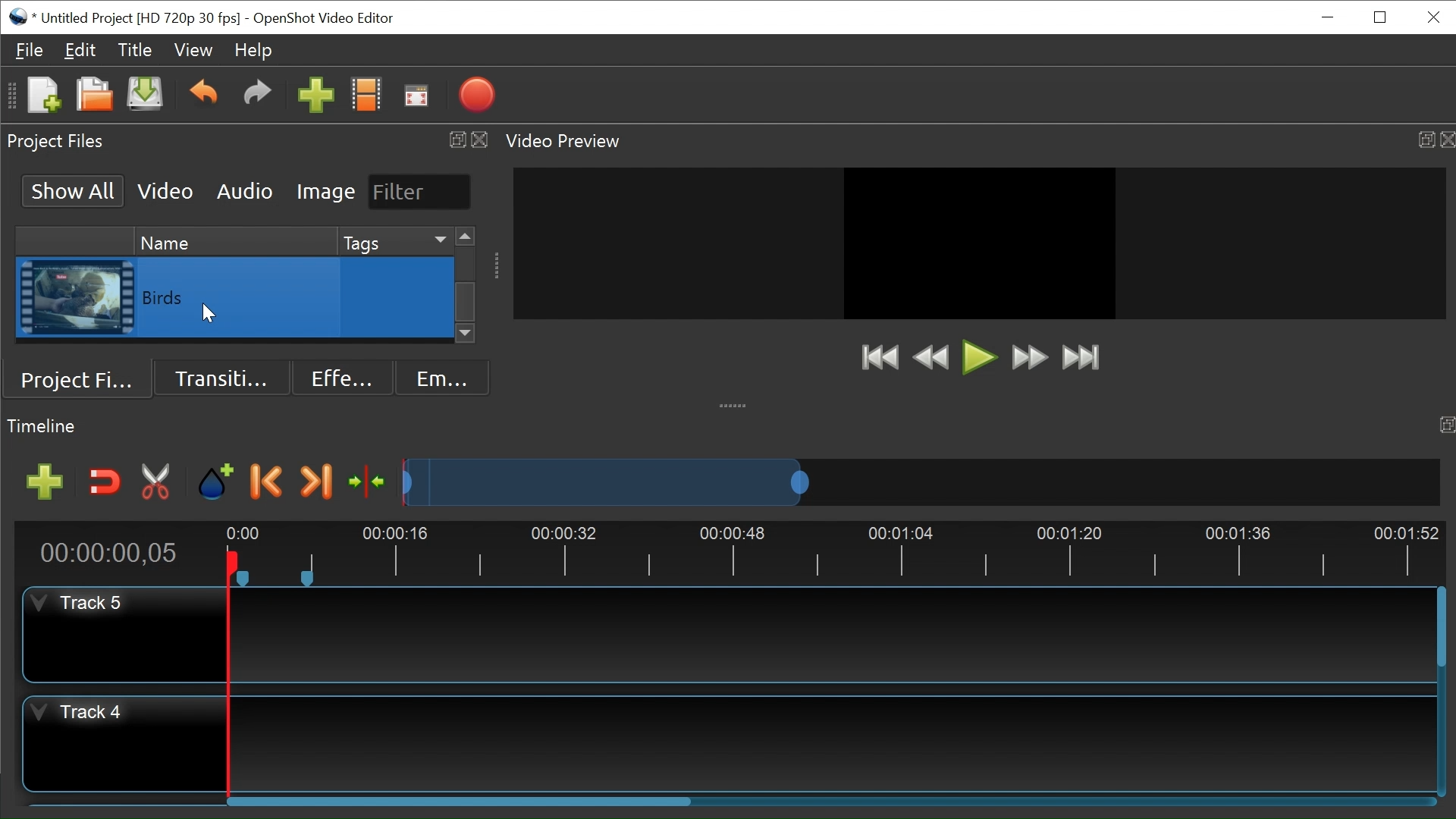  Describe the element at coordinates (239, 298) in the screenshot. I see `Clip Name` at that location.